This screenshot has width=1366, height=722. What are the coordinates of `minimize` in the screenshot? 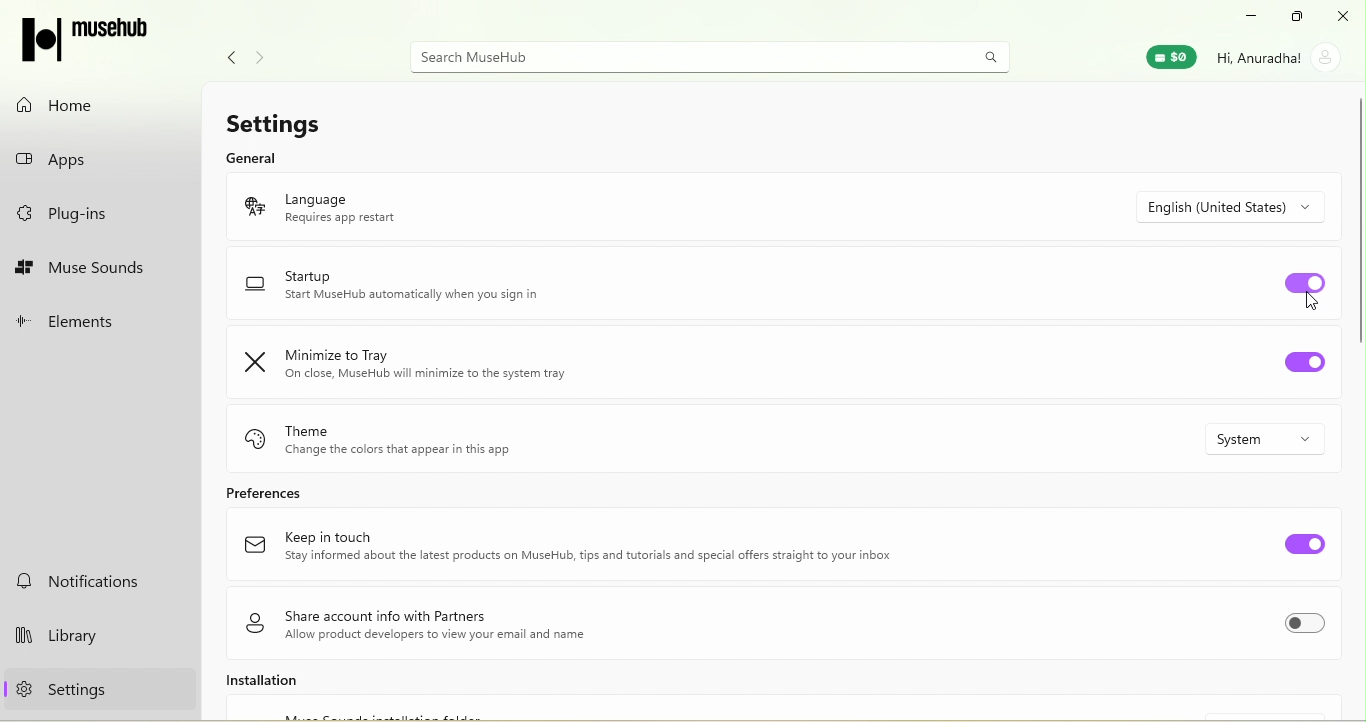 It's located at (1250, 15).